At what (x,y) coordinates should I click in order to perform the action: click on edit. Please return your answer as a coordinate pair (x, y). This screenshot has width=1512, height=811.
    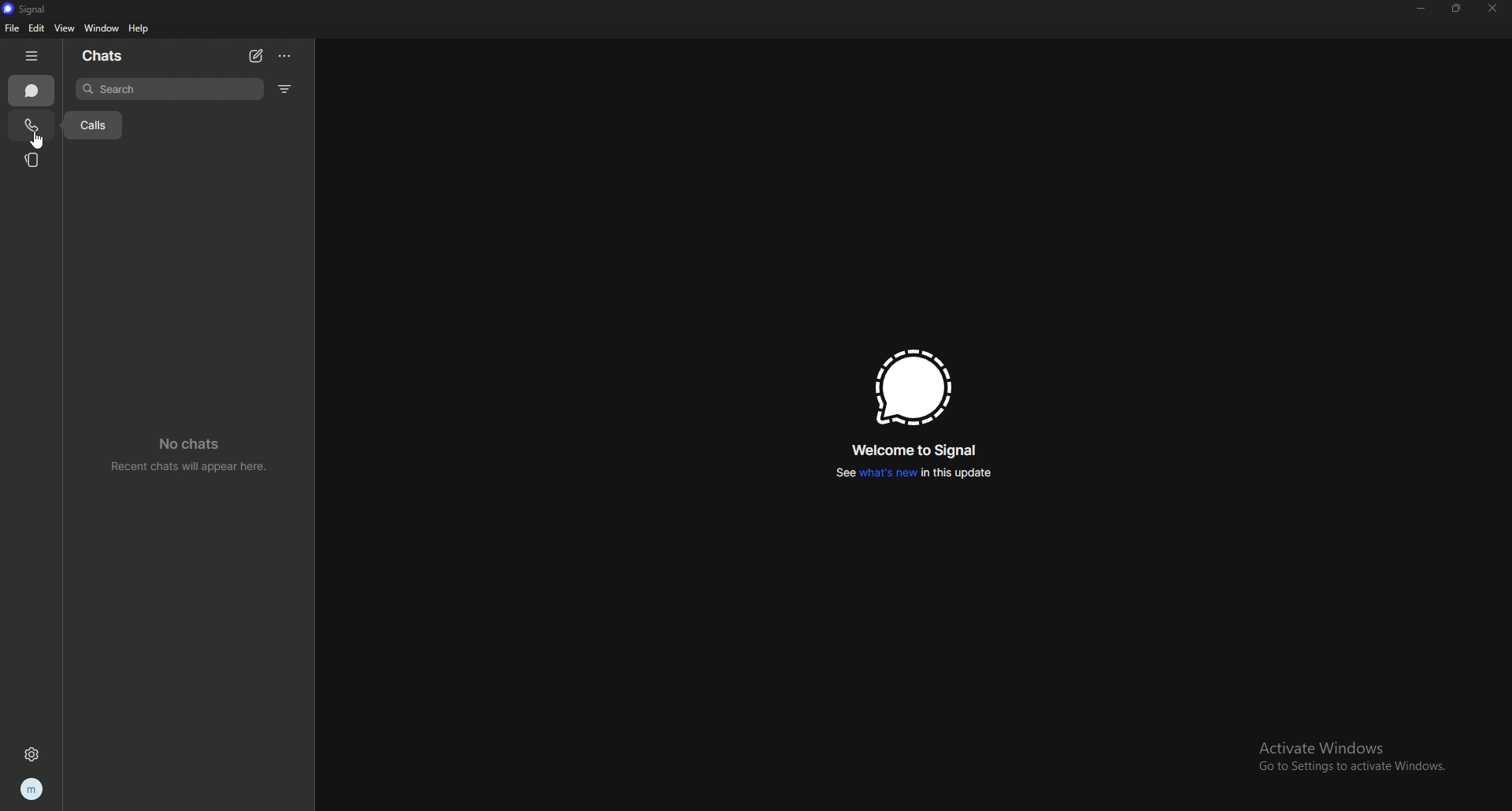
    Looking at the image, I should click on (38, 28).